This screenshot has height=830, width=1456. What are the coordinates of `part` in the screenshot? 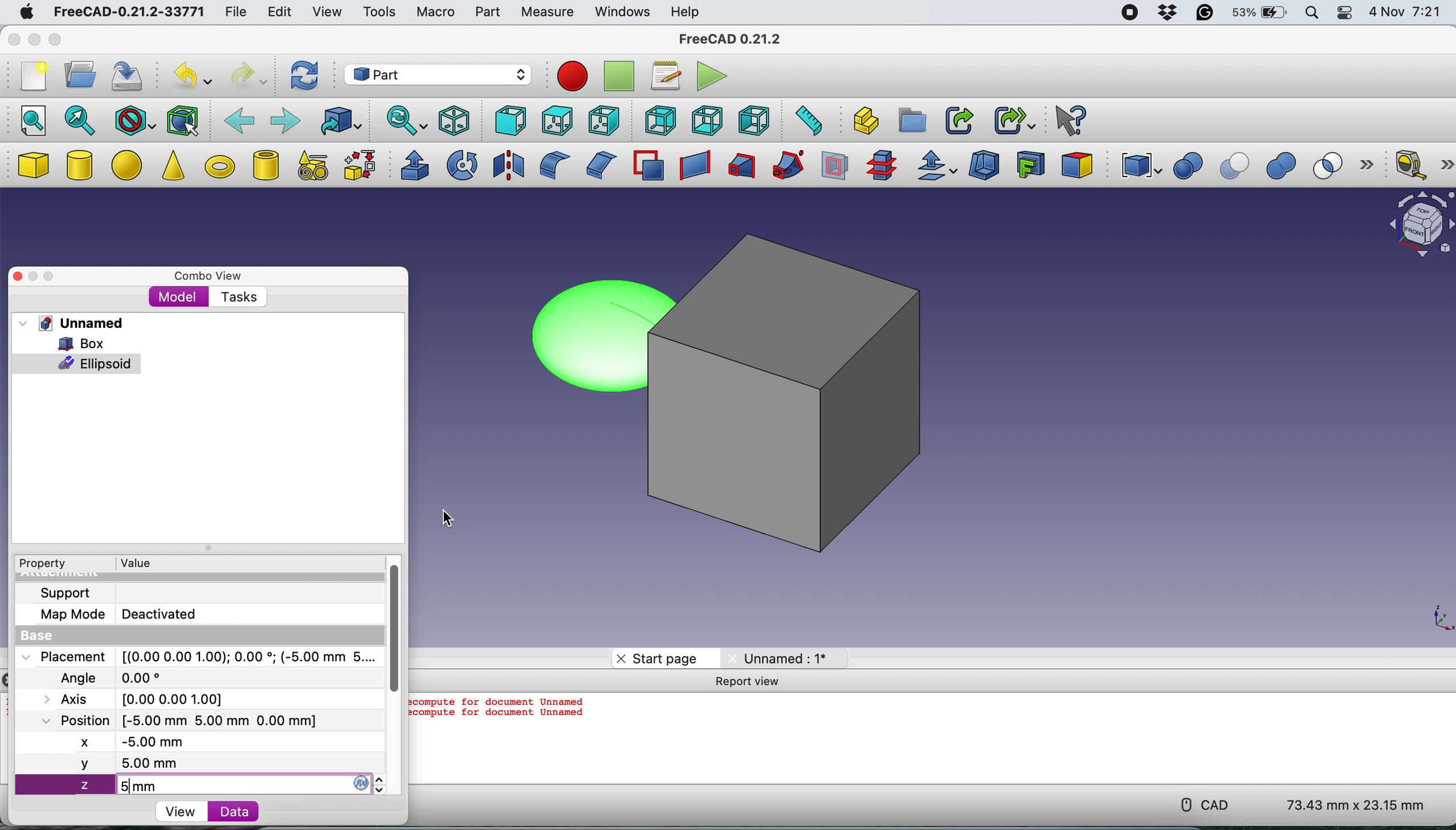 It's located at (487, 14).